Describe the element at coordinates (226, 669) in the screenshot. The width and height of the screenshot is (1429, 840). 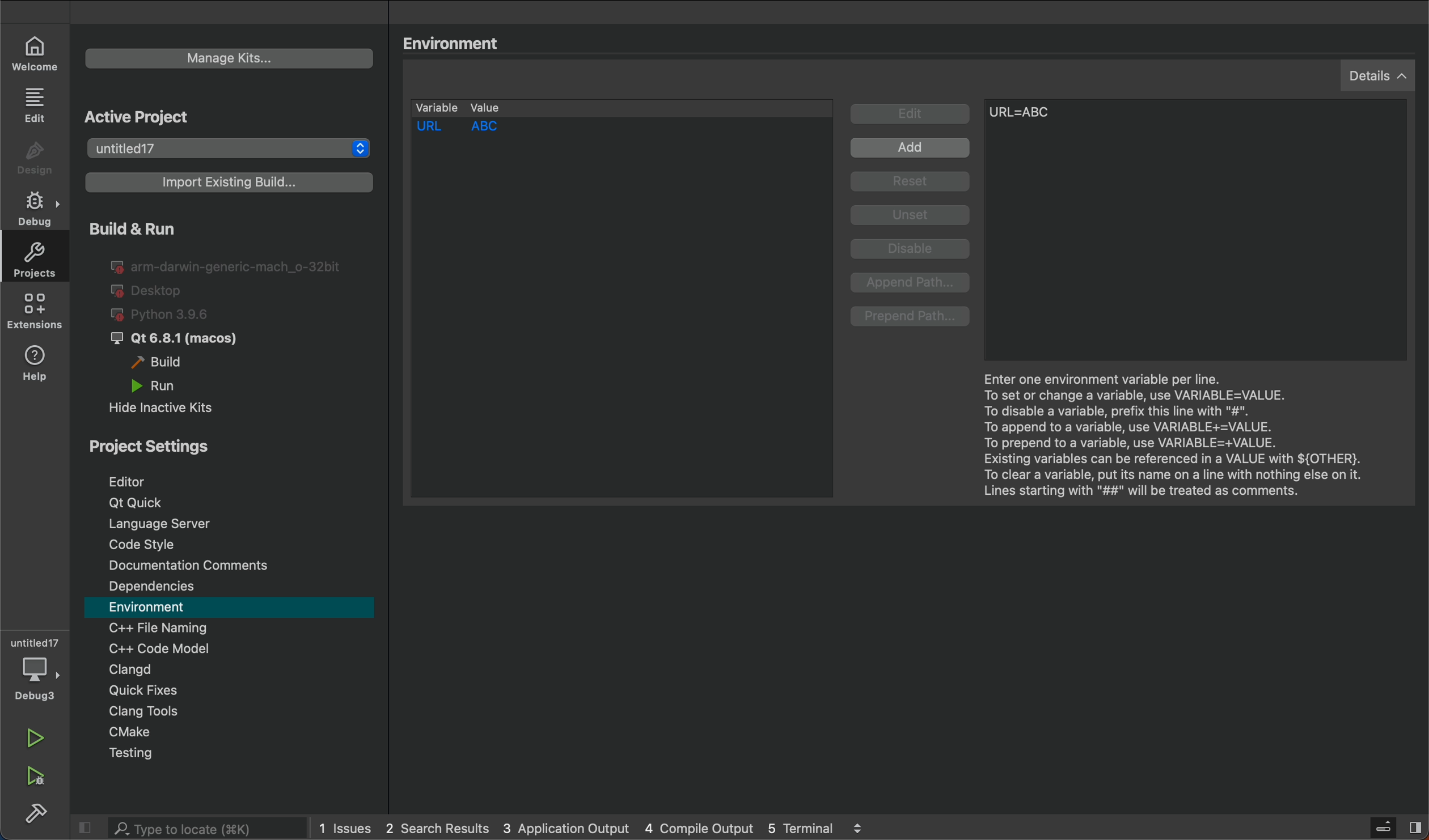
I see `Clangd` at that location.